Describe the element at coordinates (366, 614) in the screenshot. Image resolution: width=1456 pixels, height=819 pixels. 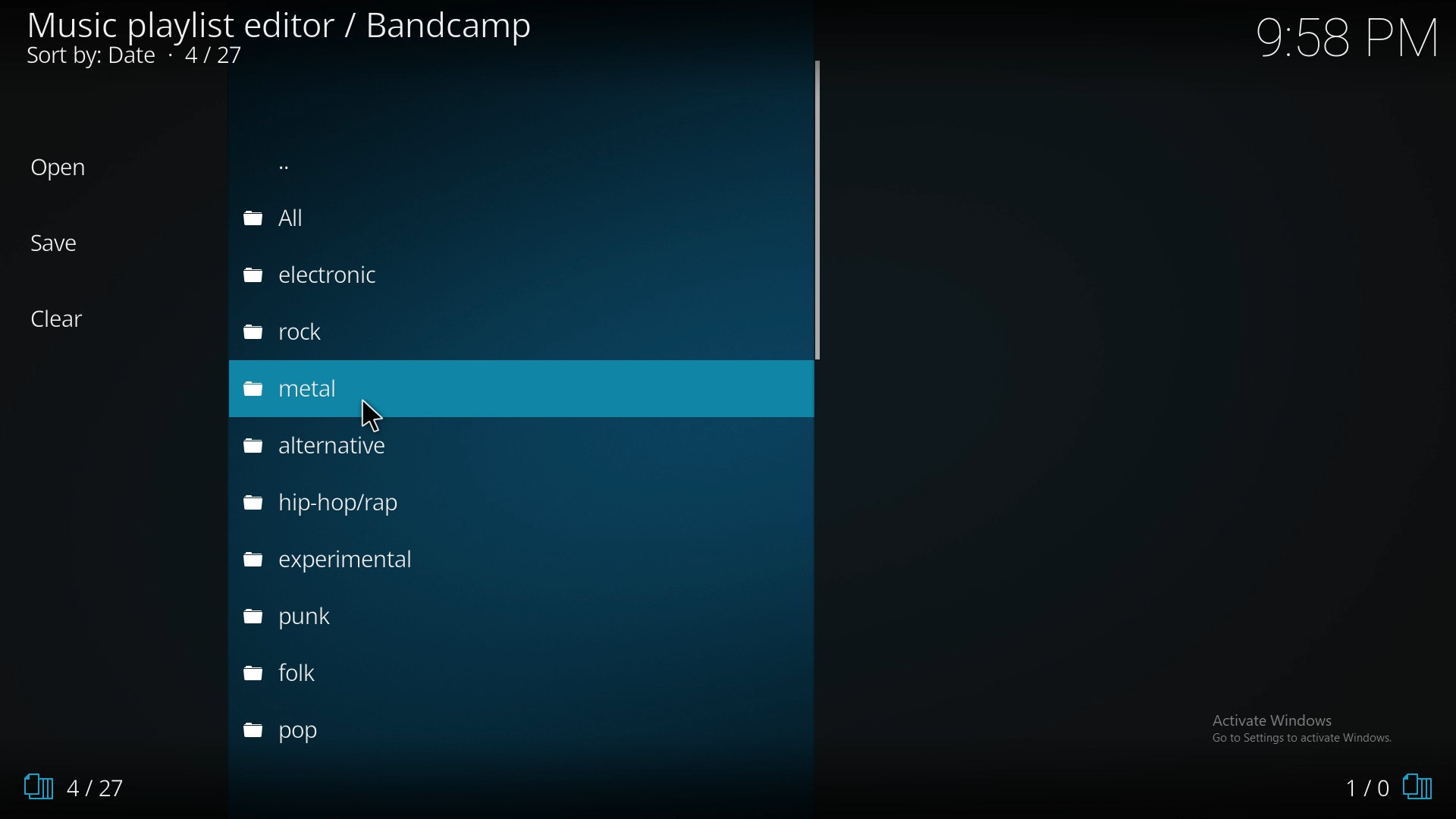
I see `music genre` at that location.